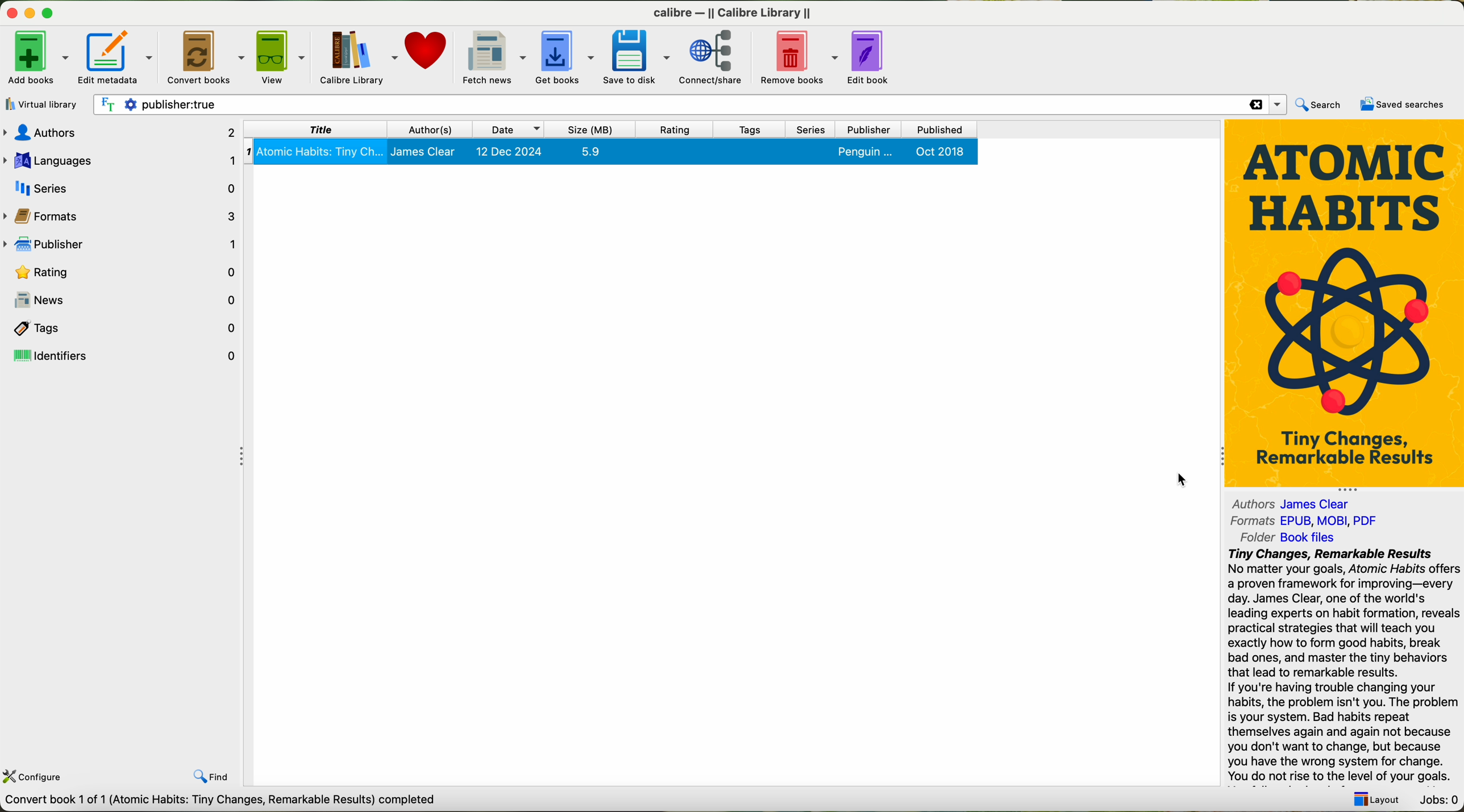 Image resolution: width=1464 pixels, height=812 pixels. Describe the element at coordinates (214, 777) in the screenshot. I see `find` at that location.